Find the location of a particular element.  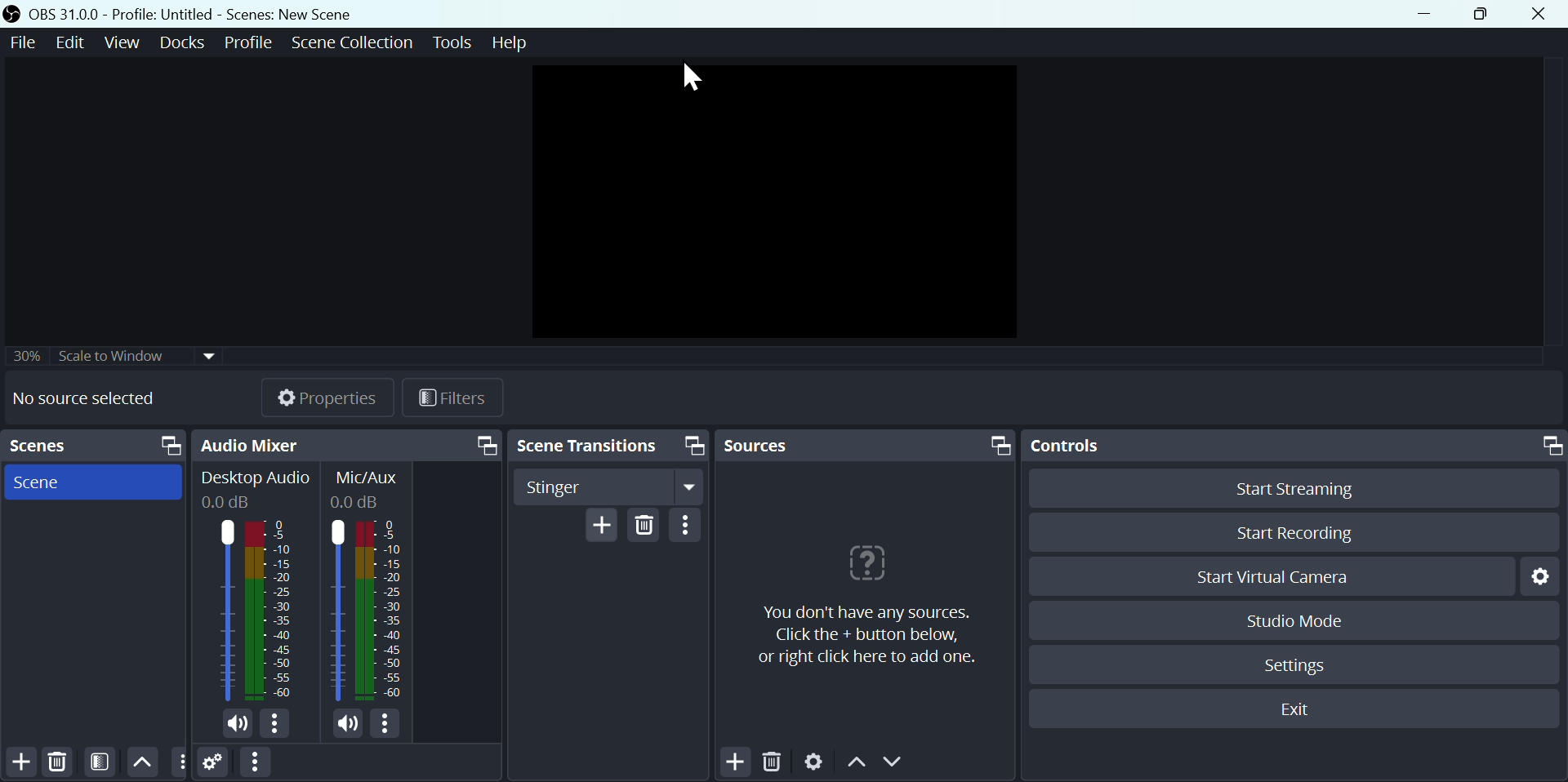

More options is located at coordinates (254, 763).